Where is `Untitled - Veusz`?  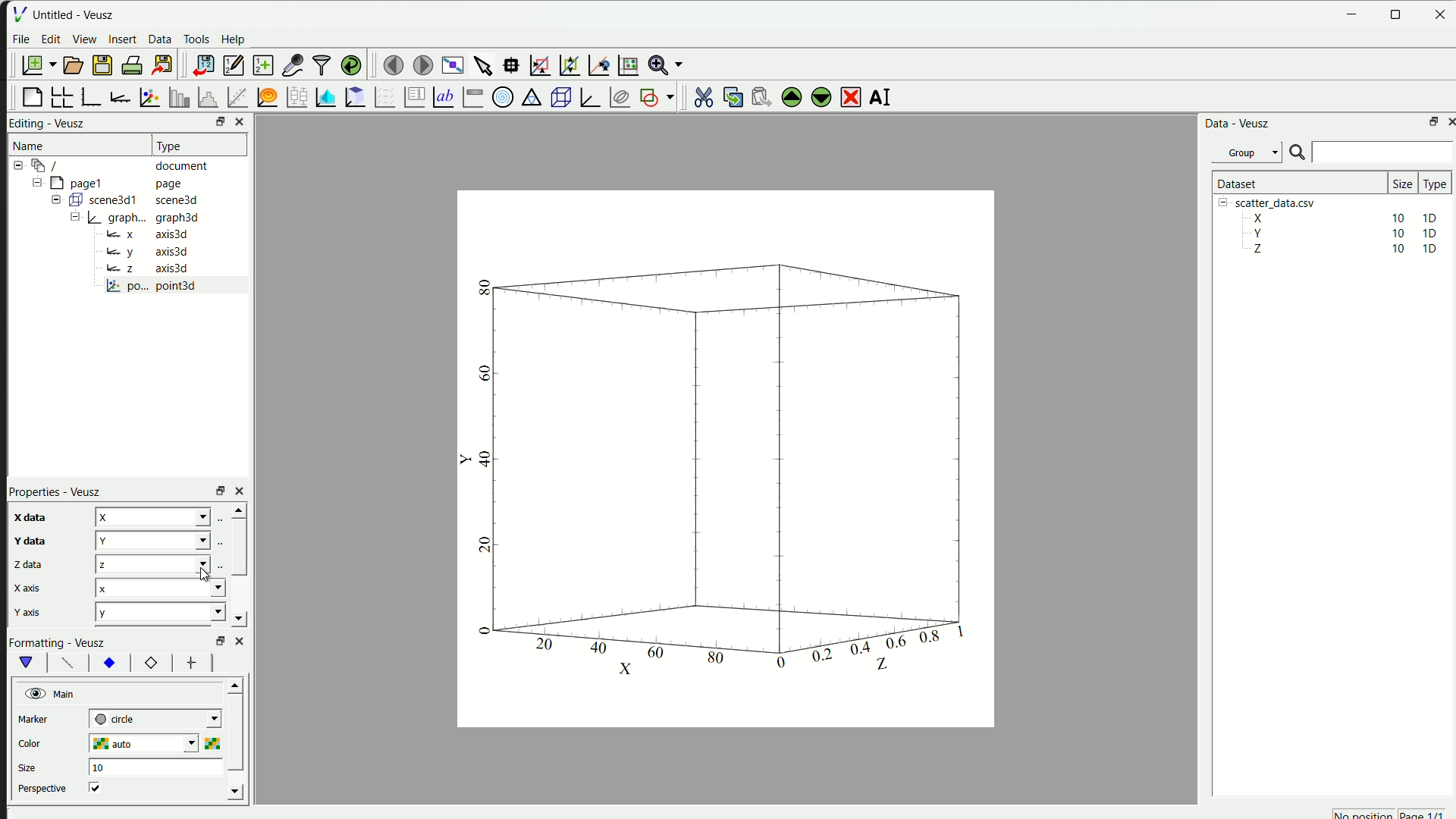
Untitled - Veusz is located at coordinates (77, 14).